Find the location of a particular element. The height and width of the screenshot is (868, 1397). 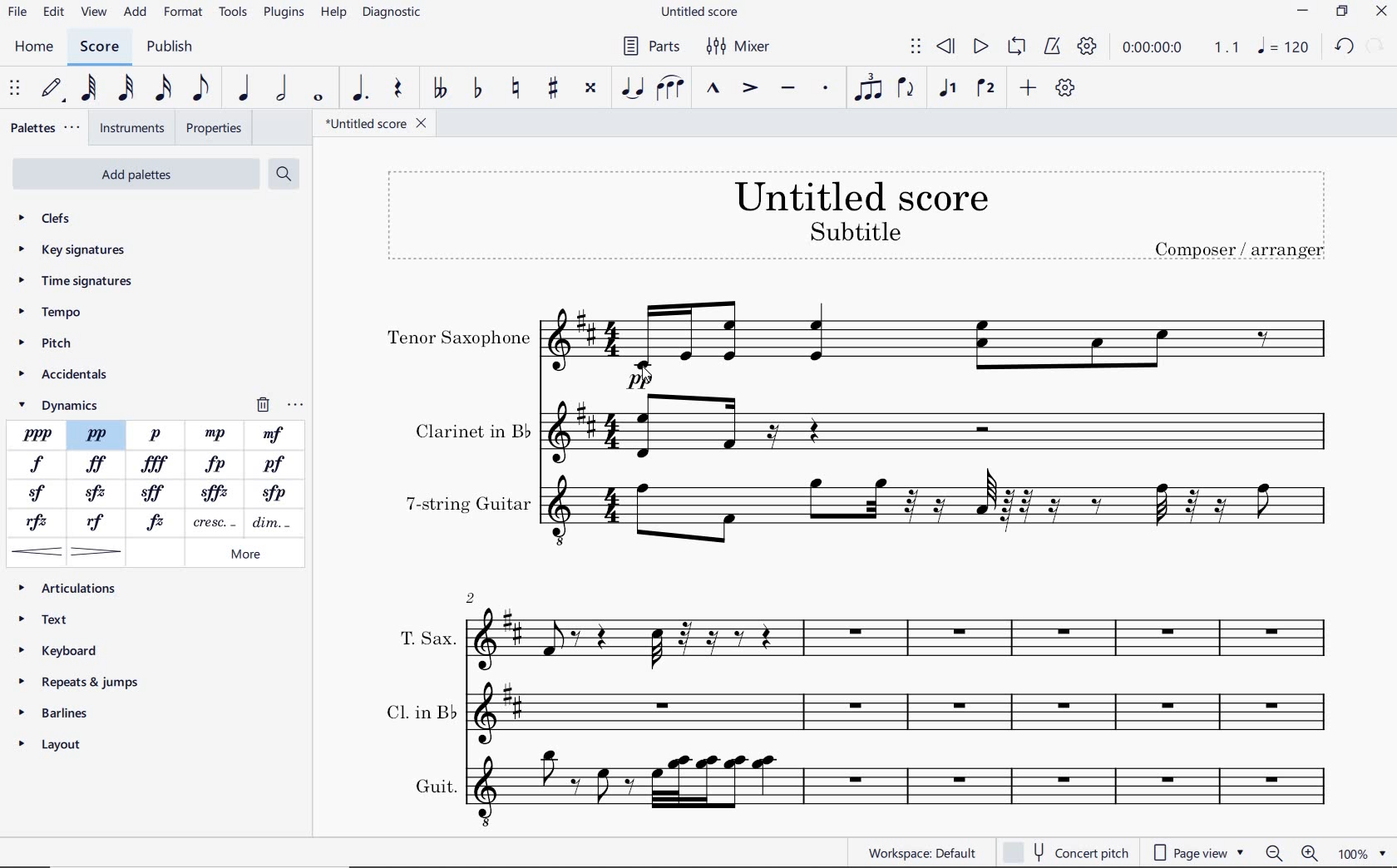

zoom in is located at coordinates (1313, 852).